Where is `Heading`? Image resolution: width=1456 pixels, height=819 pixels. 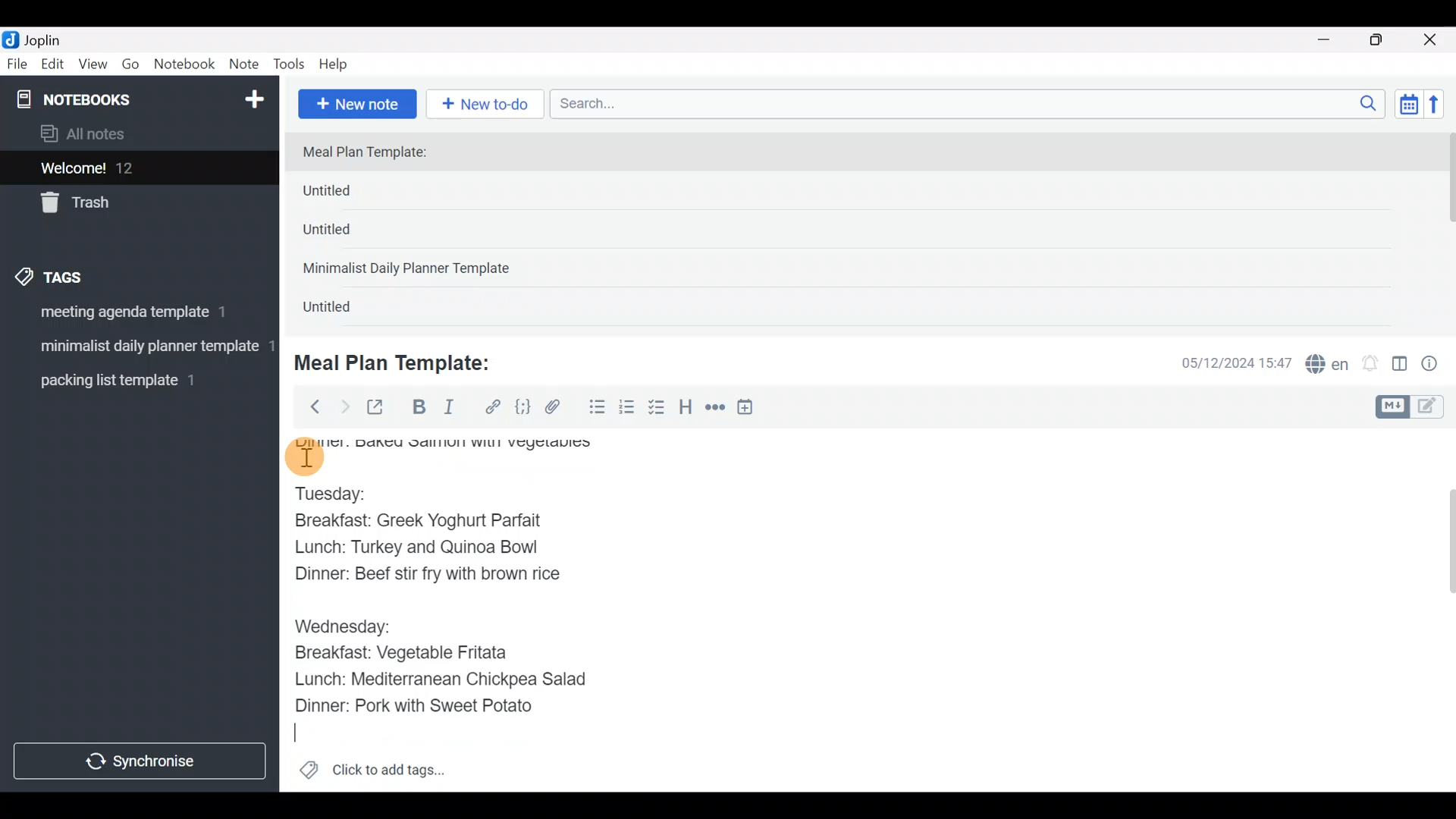 Heading is located at coordinates (686, 409).